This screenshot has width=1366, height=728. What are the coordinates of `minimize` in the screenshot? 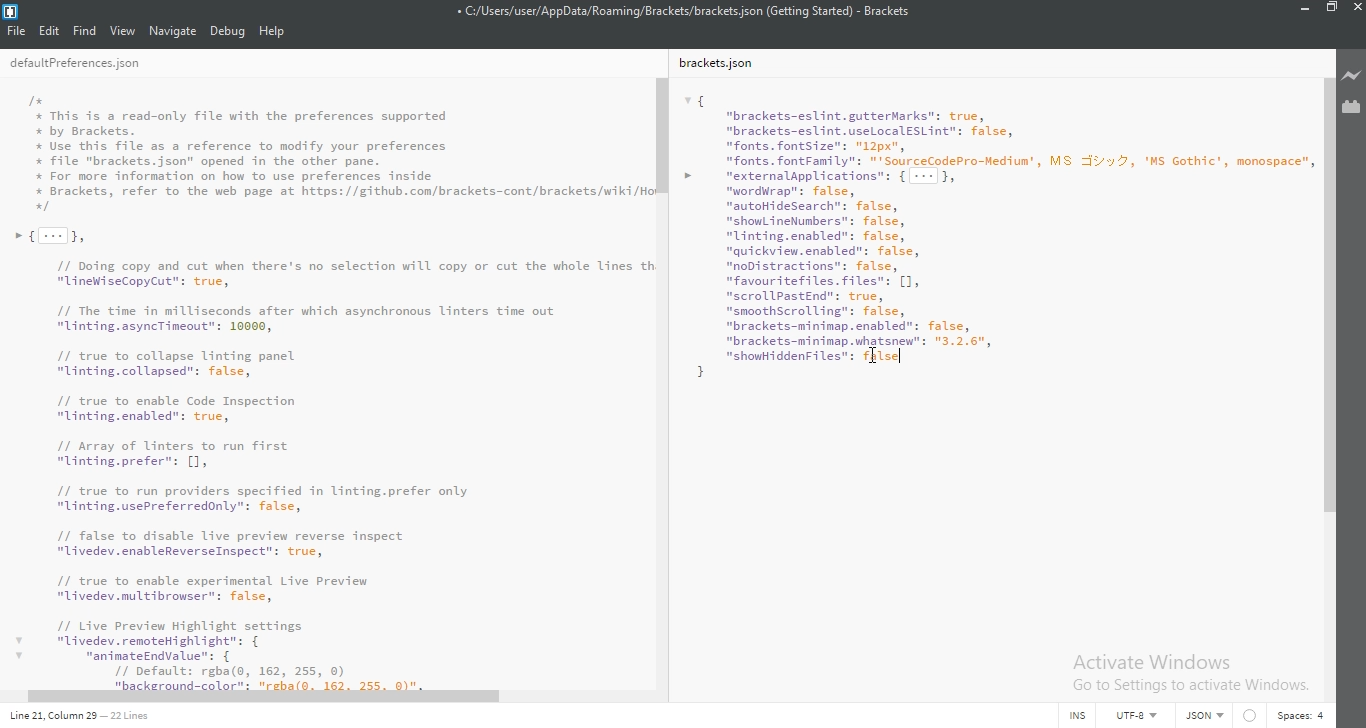 It's located at (1306, 7).